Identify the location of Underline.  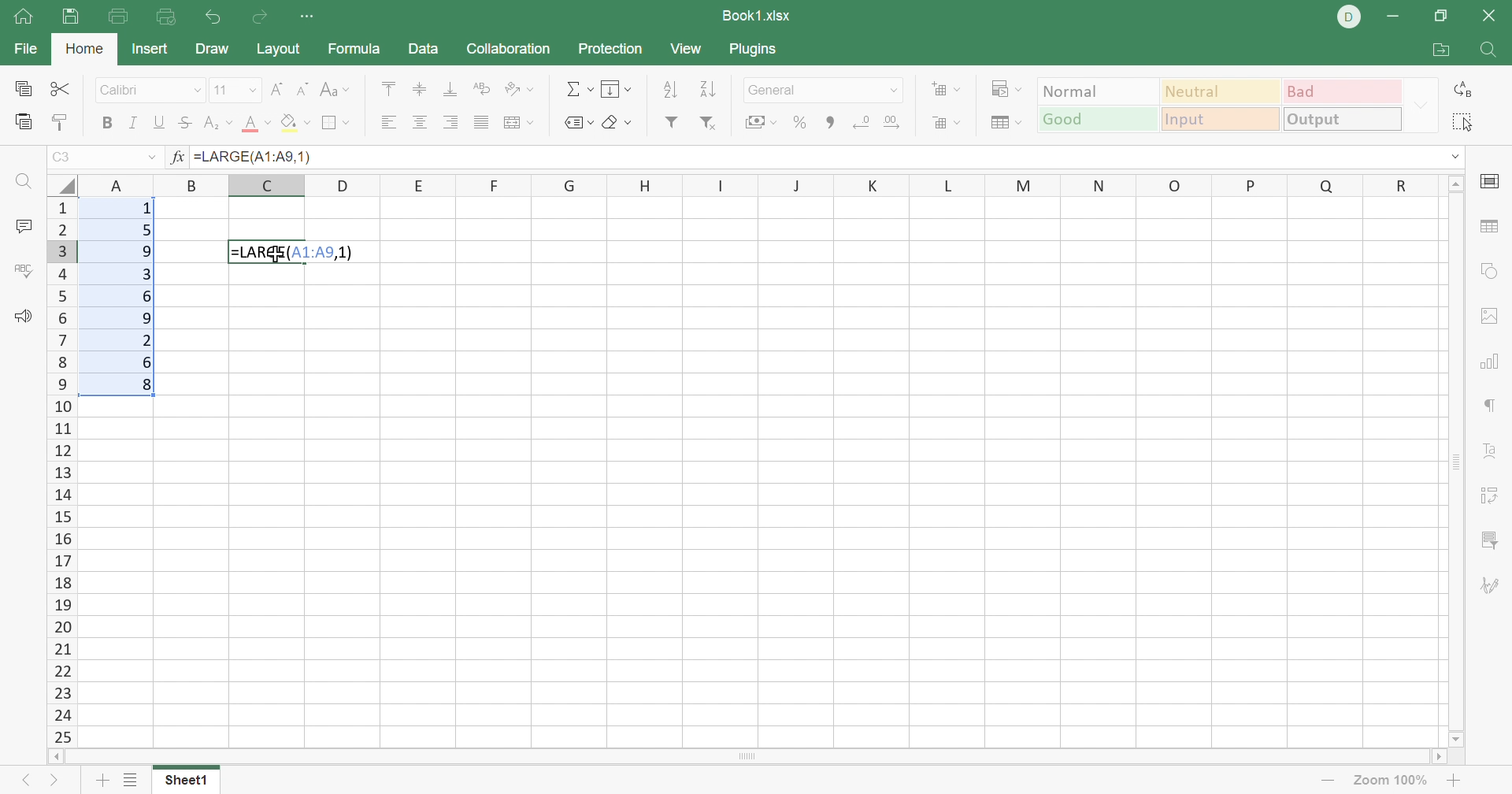
(158, 123).